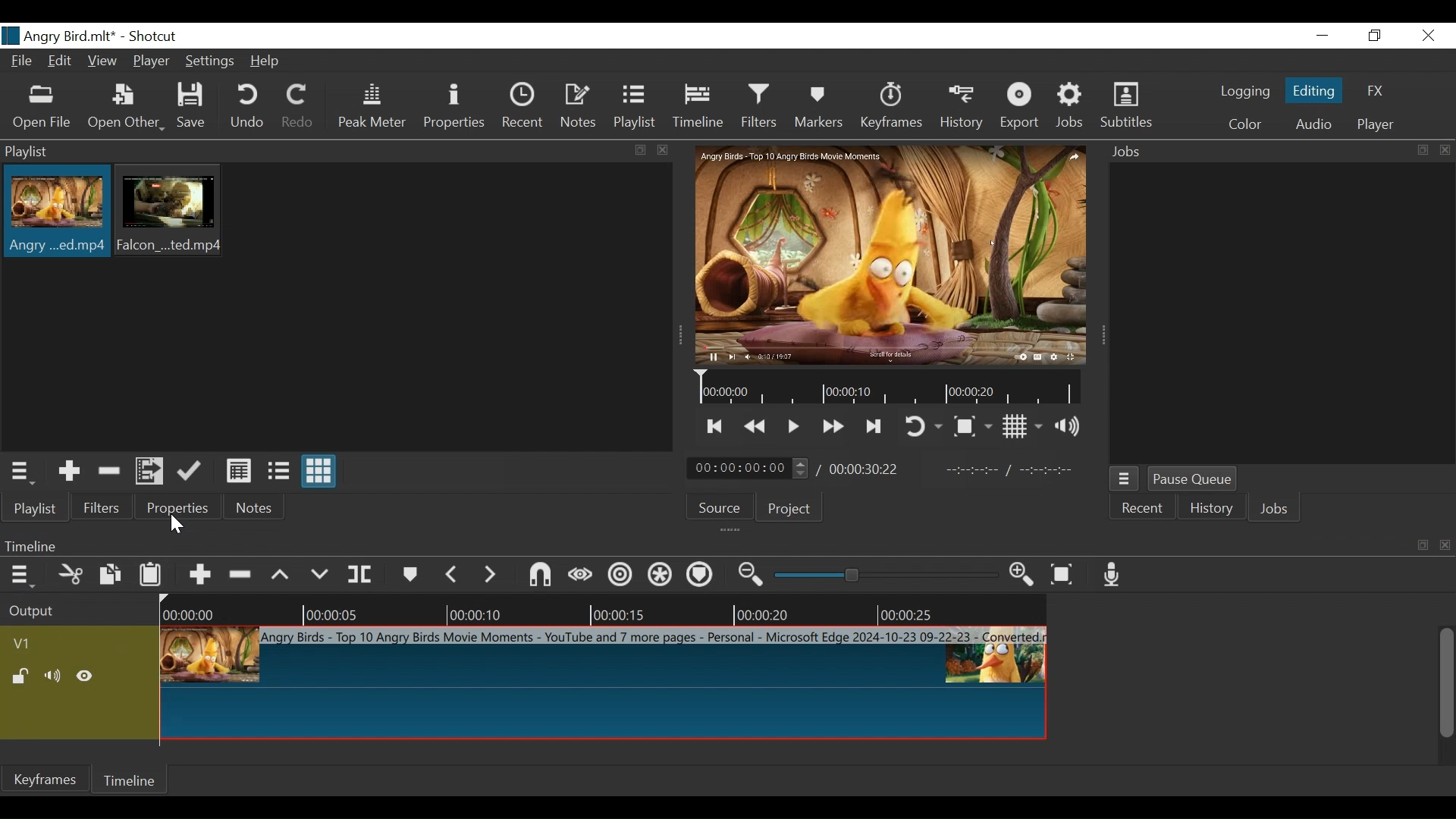 The height and width of the screenshot is (819, 1456). Describe the element at coordinates (603, 608) in the screenshot. I see `Timeline` at that location.